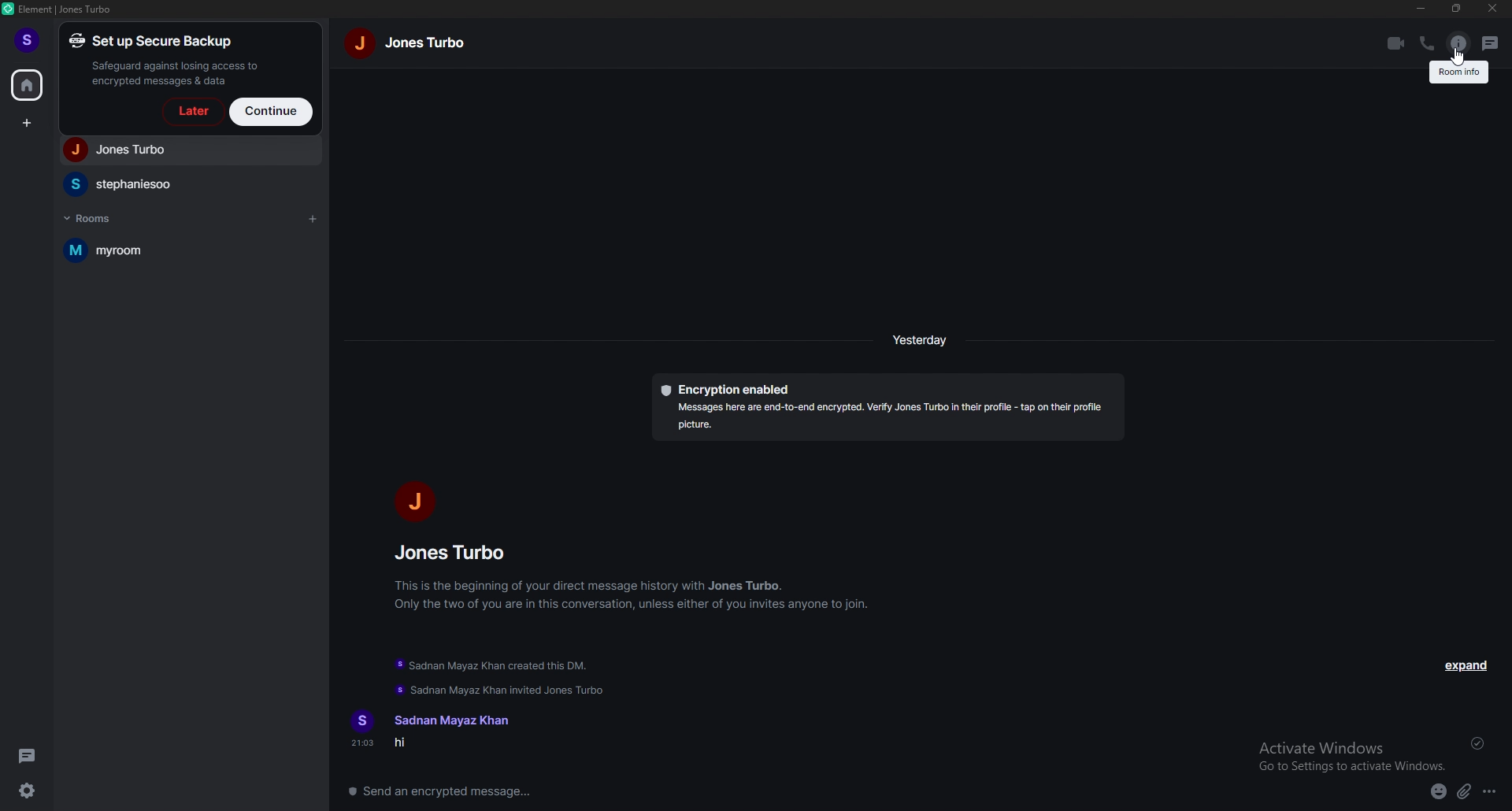 The image size is (1512, 811). What do you see at coordinates (169, 59) in the screenshot?
I see `set up a secure backup` at bounding box center [169, 59].